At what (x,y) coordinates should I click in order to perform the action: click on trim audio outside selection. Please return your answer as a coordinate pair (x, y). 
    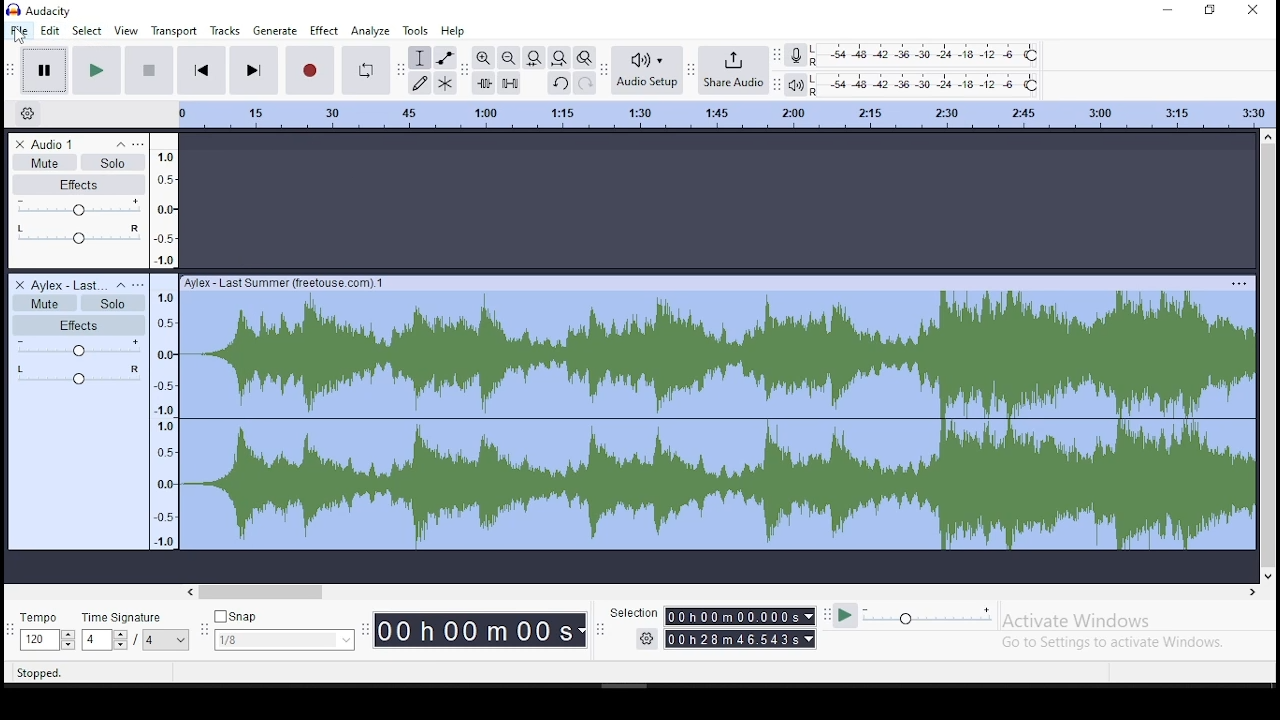
    Looking at the image, I should click on (482, 83).